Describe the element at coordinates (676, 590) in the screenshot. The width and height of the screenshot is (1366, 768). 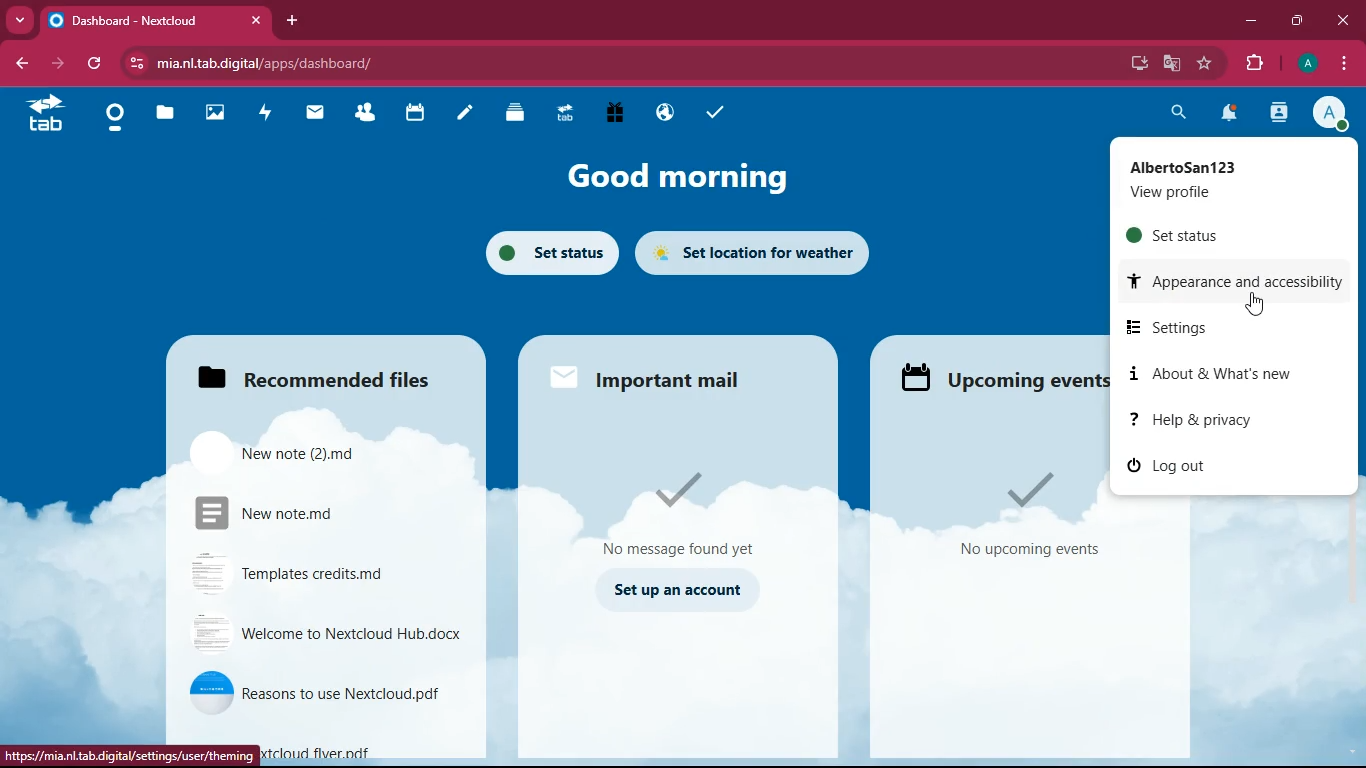
I see `set up an account` at that location.